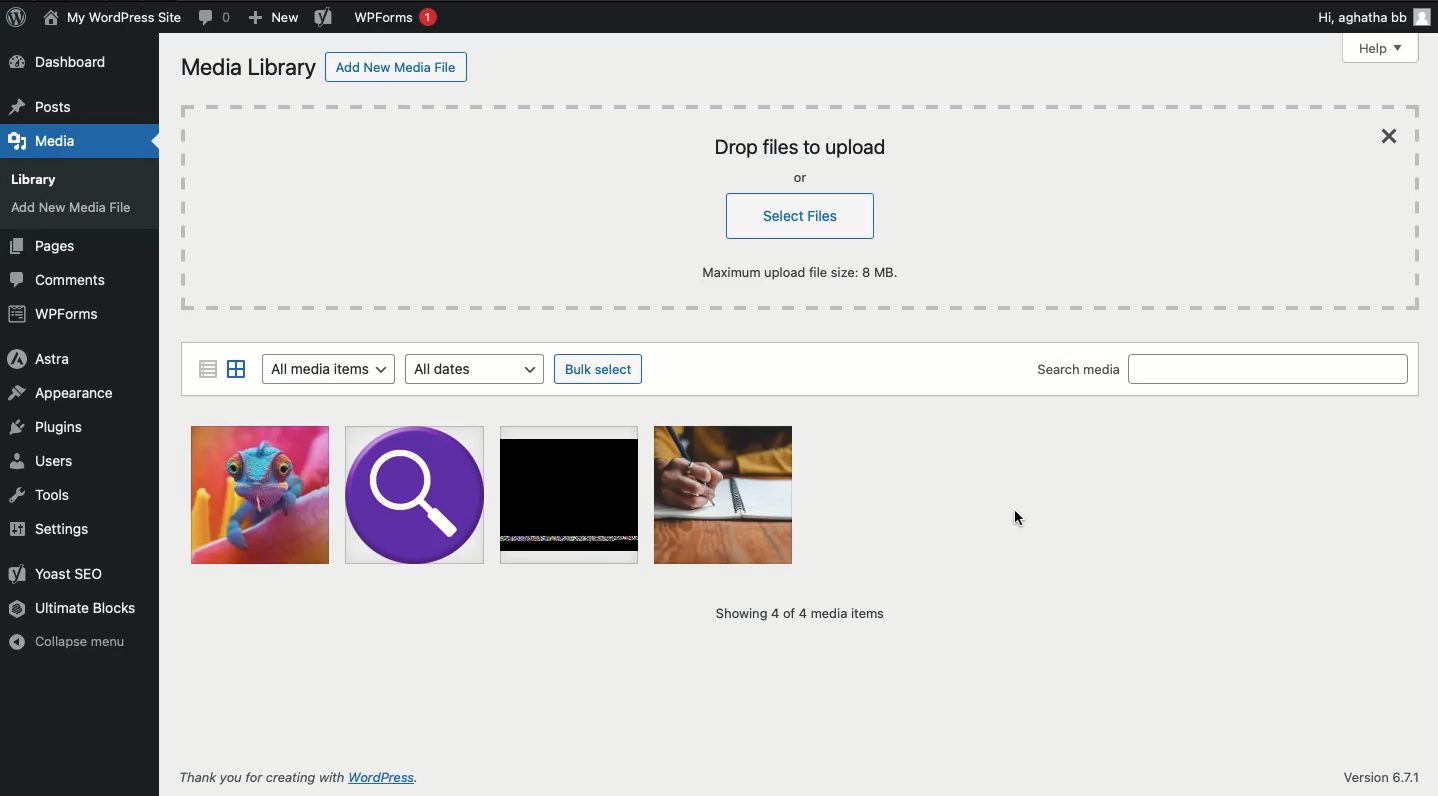 Image resolution: width=1438 pixels, height=796 pixels. Describe the element at coordinates (60, 572) in the screenshot. I see `Yoast SEO` at that location.